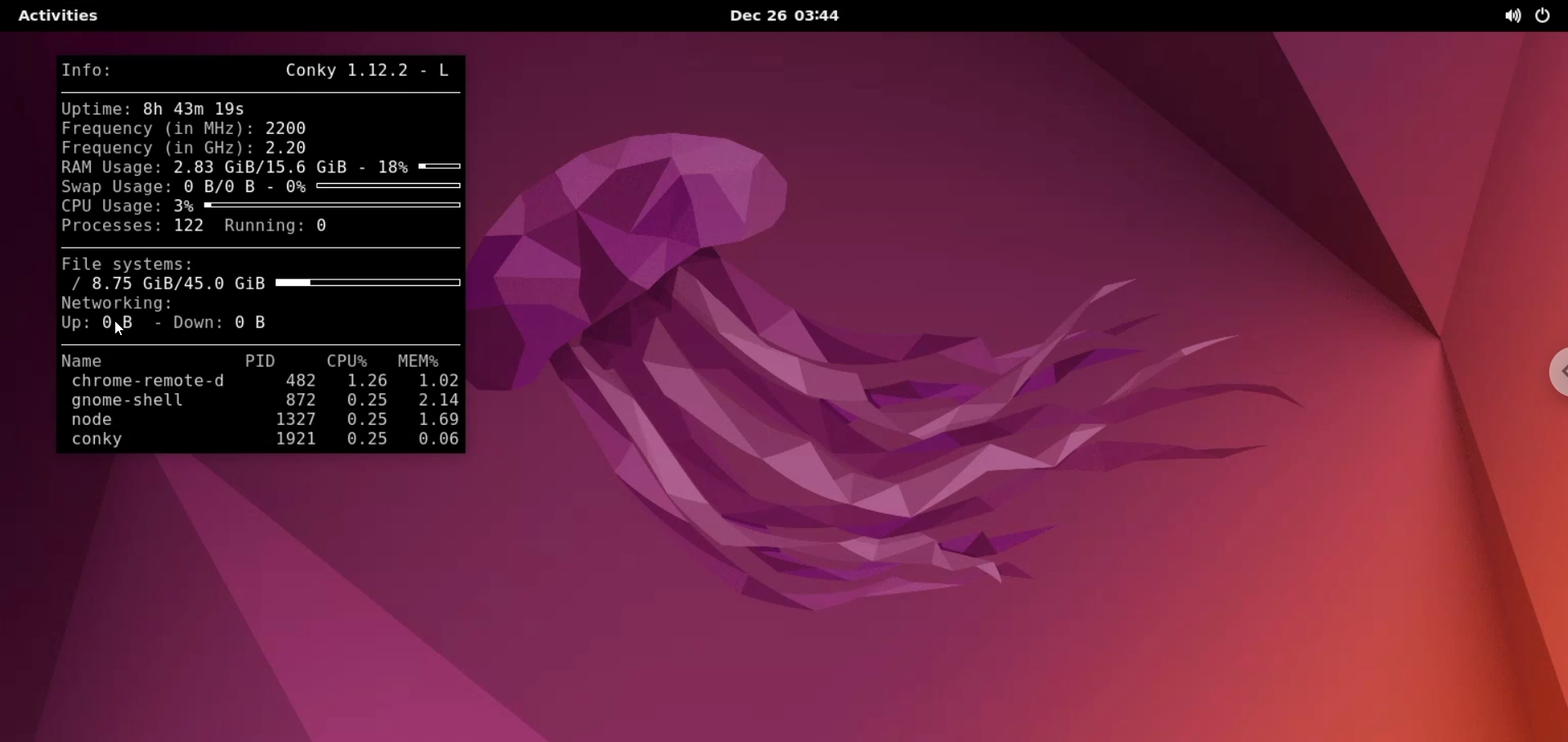 The height and width of the screenshot is (742, 1568). Describe the element at coordinates (365, 400) in the screenshot. I see `0.25` at that location.